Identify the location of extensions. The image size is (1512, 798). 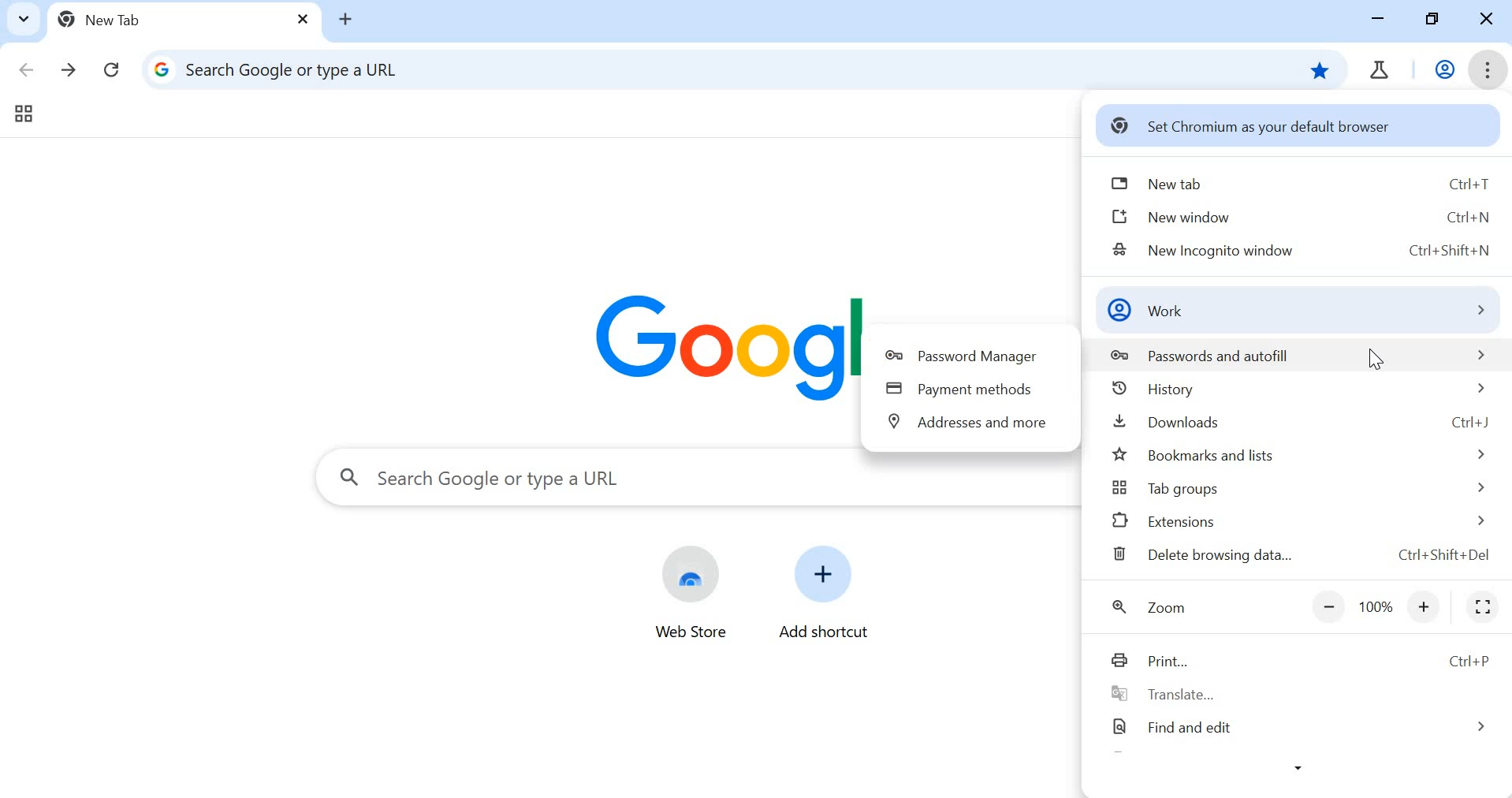
(1300, 524).